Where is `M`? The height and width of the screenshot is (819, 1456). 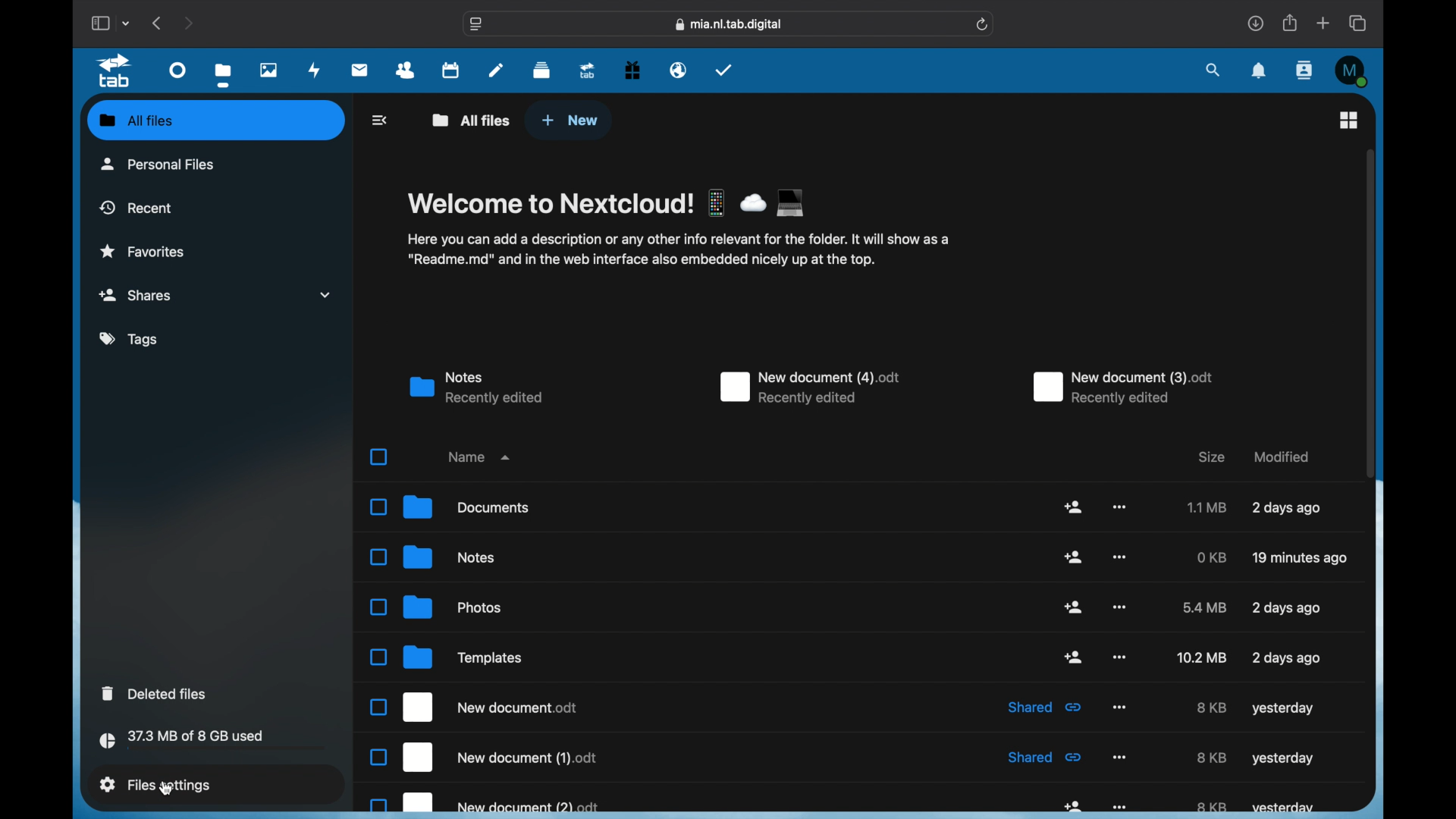 M is located at coordinates (1351, 71).